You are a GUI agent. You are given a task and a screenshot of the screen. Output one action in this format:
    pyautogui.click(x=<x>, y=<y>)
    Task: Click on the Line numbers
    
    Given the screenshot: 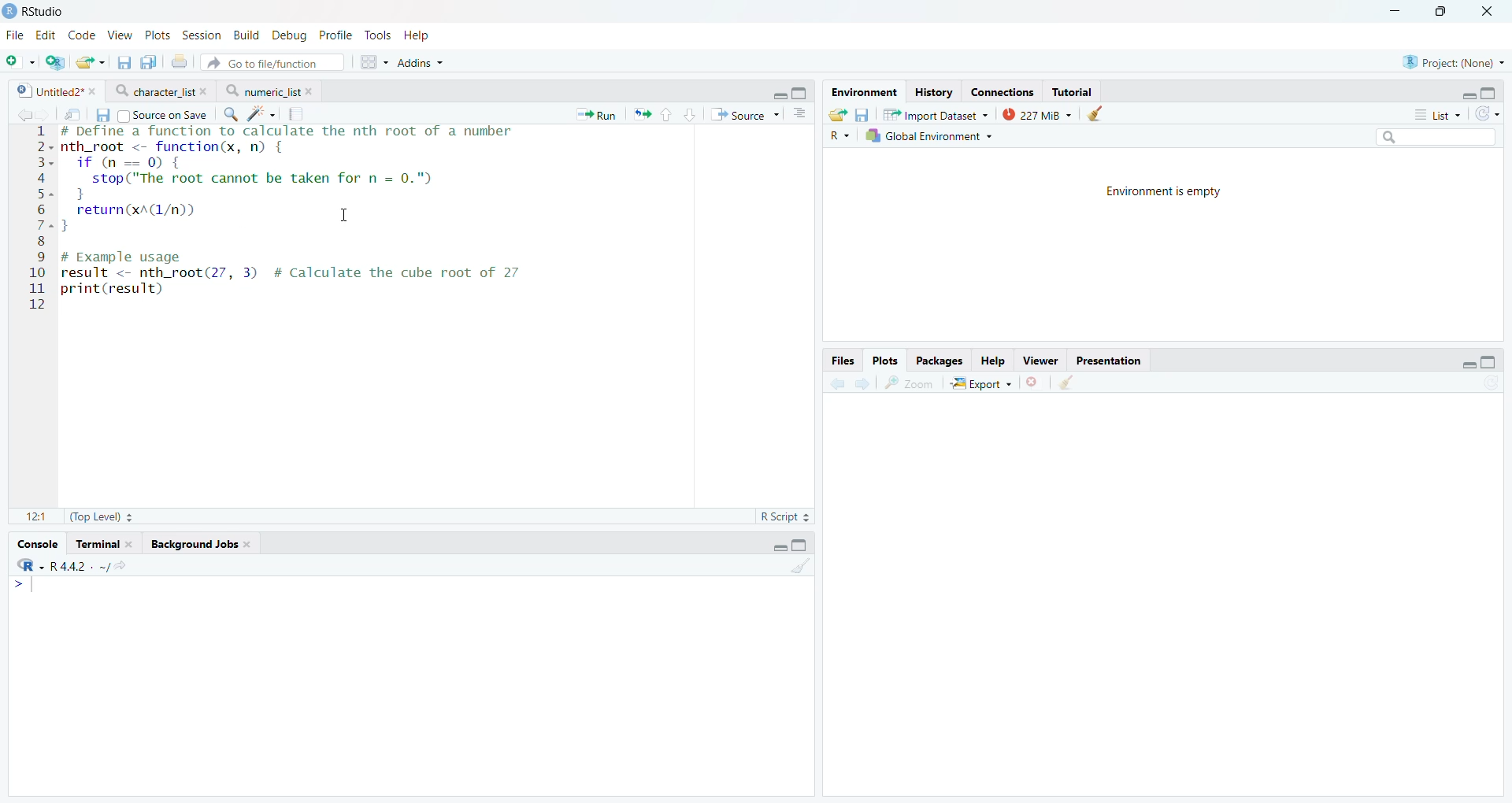 What is the action you would take?
    pyautogui.click(x=41, y=216)
    